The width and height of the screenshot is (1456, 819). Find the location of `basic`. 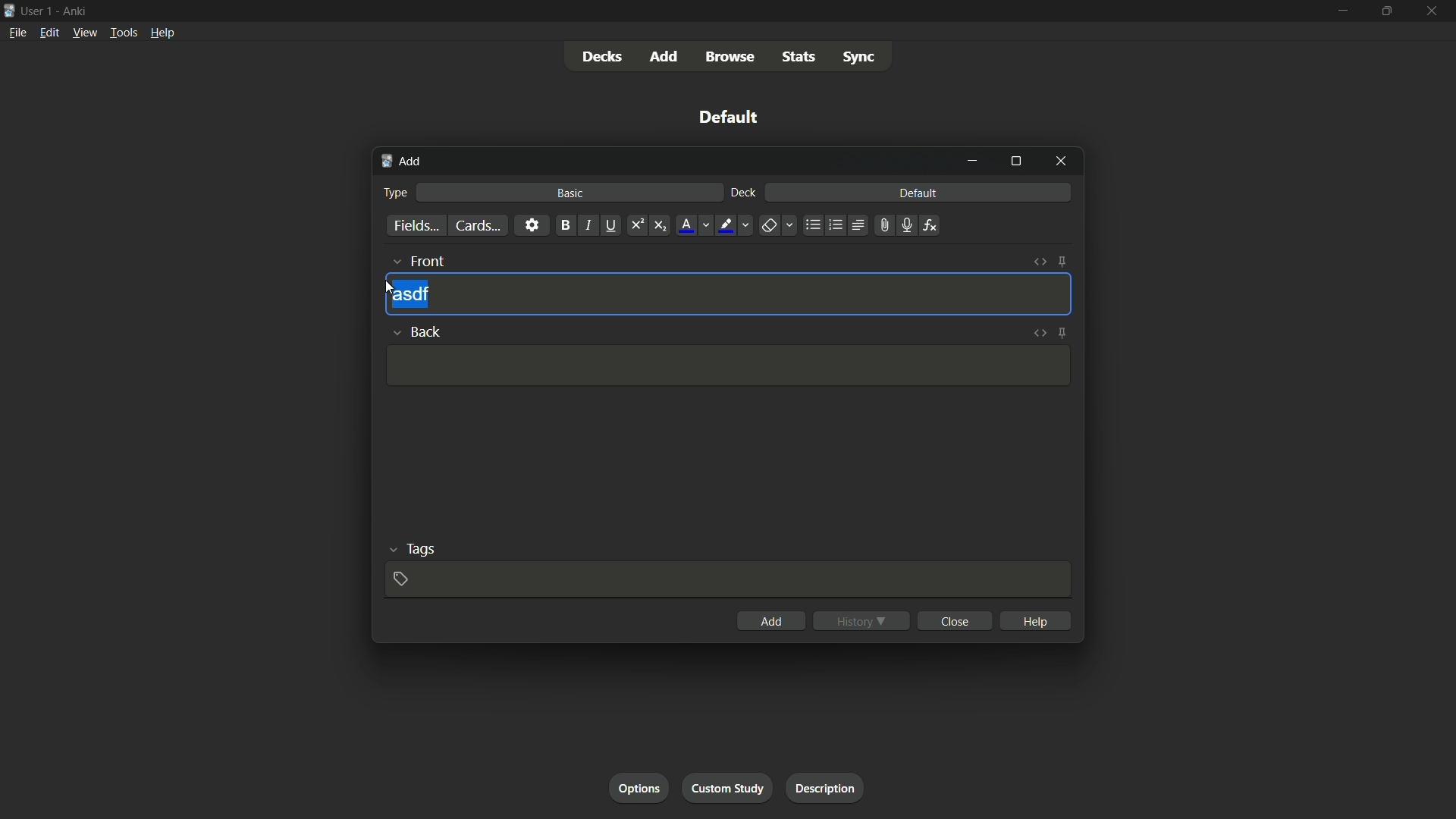

basic is located at coordinates (571, 193).